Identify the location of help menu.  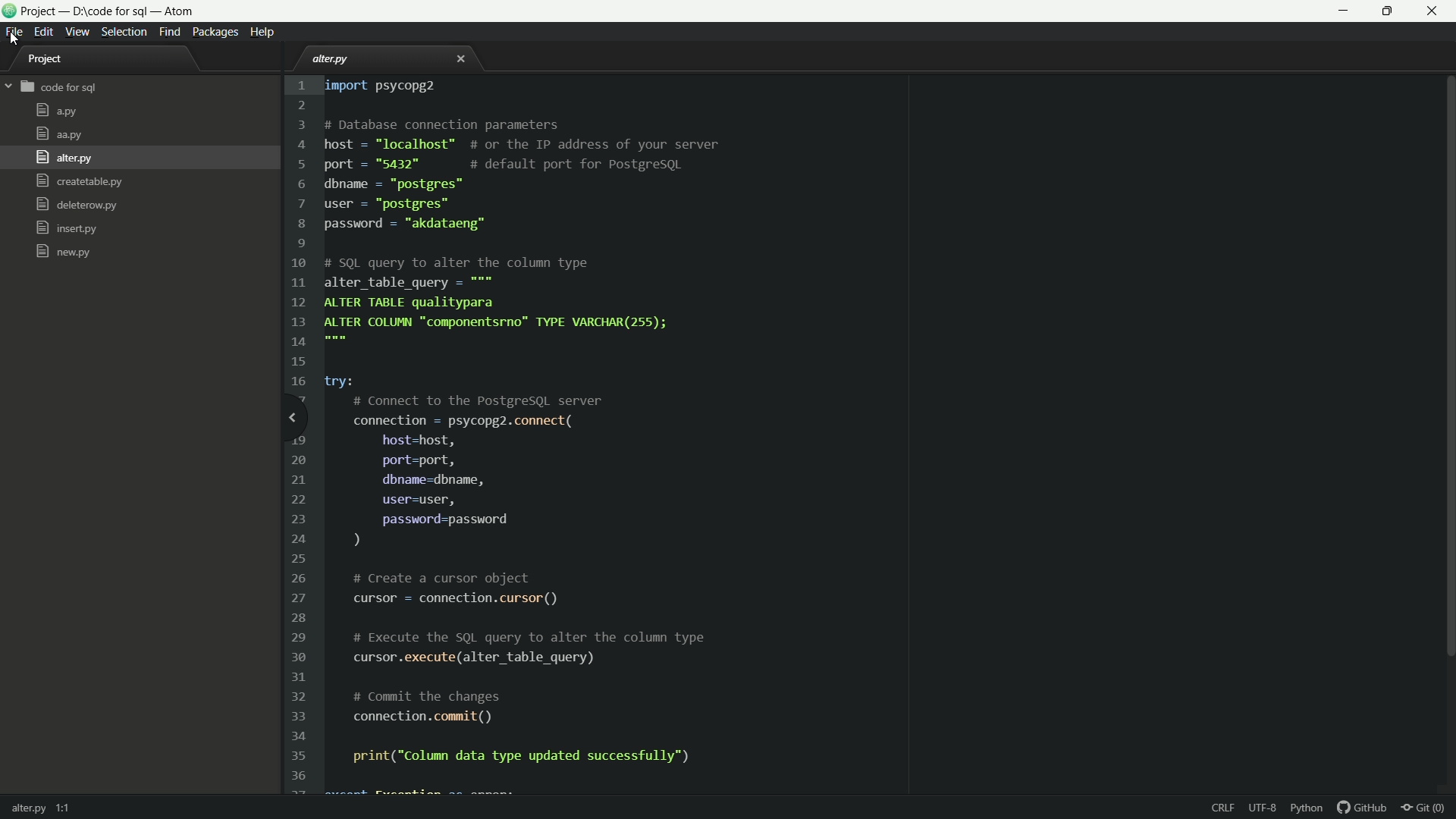
(265, 32).